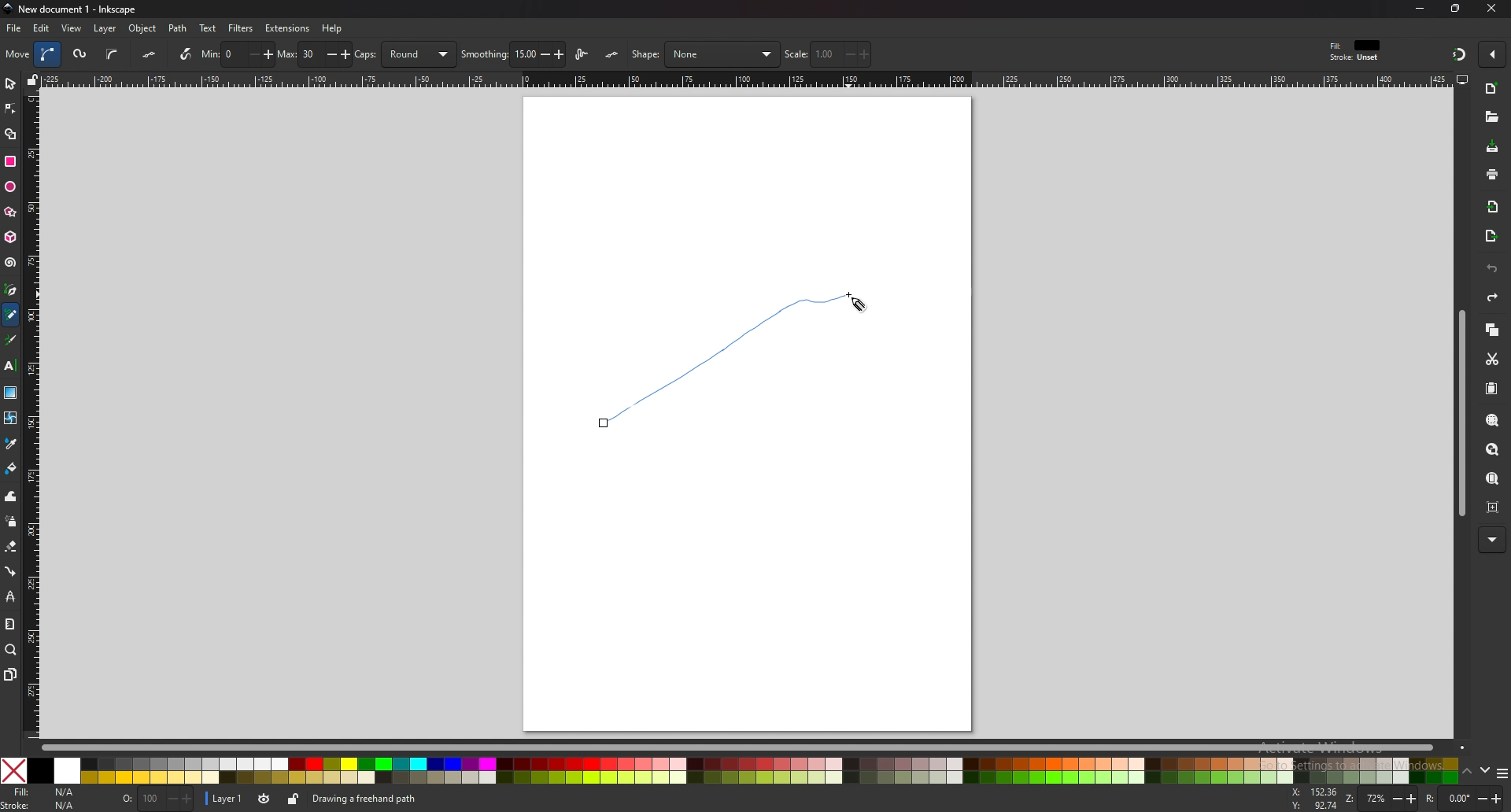 This screenshot has height=812, width=1511. Describe the element at coordinates (10, 317) in the screenshot. I see `pencil` at that location.